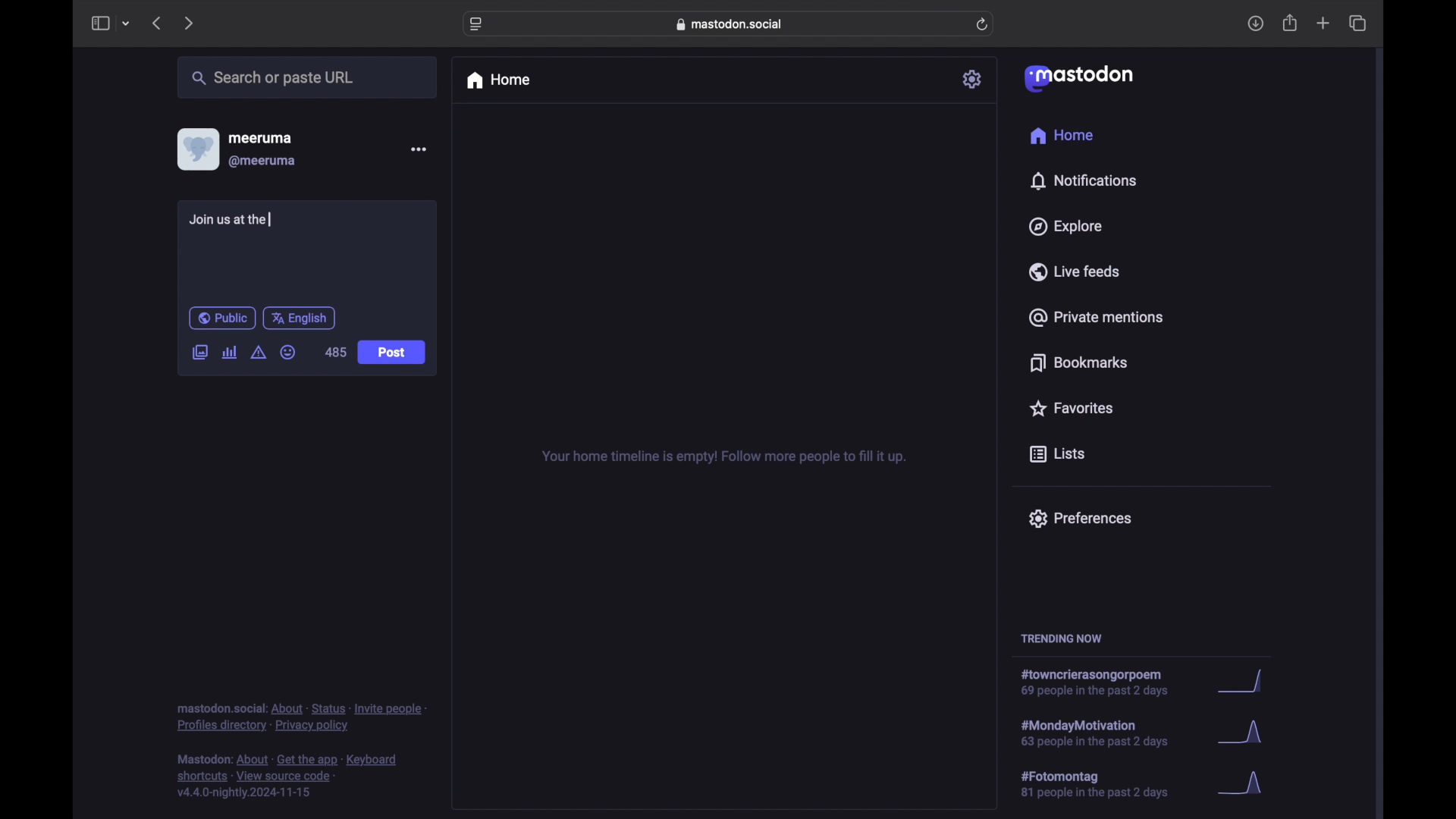  Describe the element at coordinates (262, 162) in the screenshot. I see `@meeruma` at that location.